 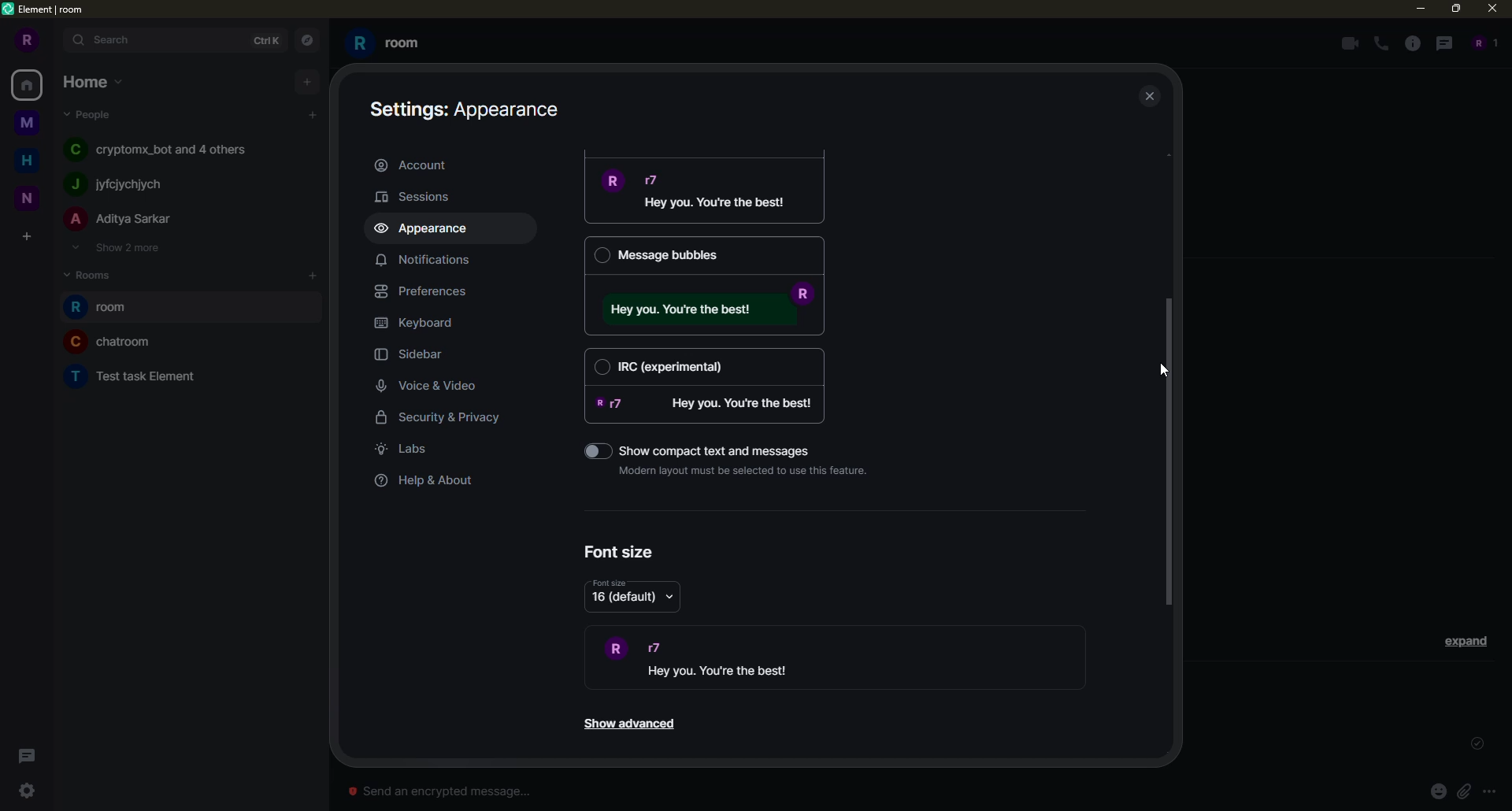 What do you see at coordinates (709, 194) in the screenshot?
I see `message` at bounding box center [709, 194].